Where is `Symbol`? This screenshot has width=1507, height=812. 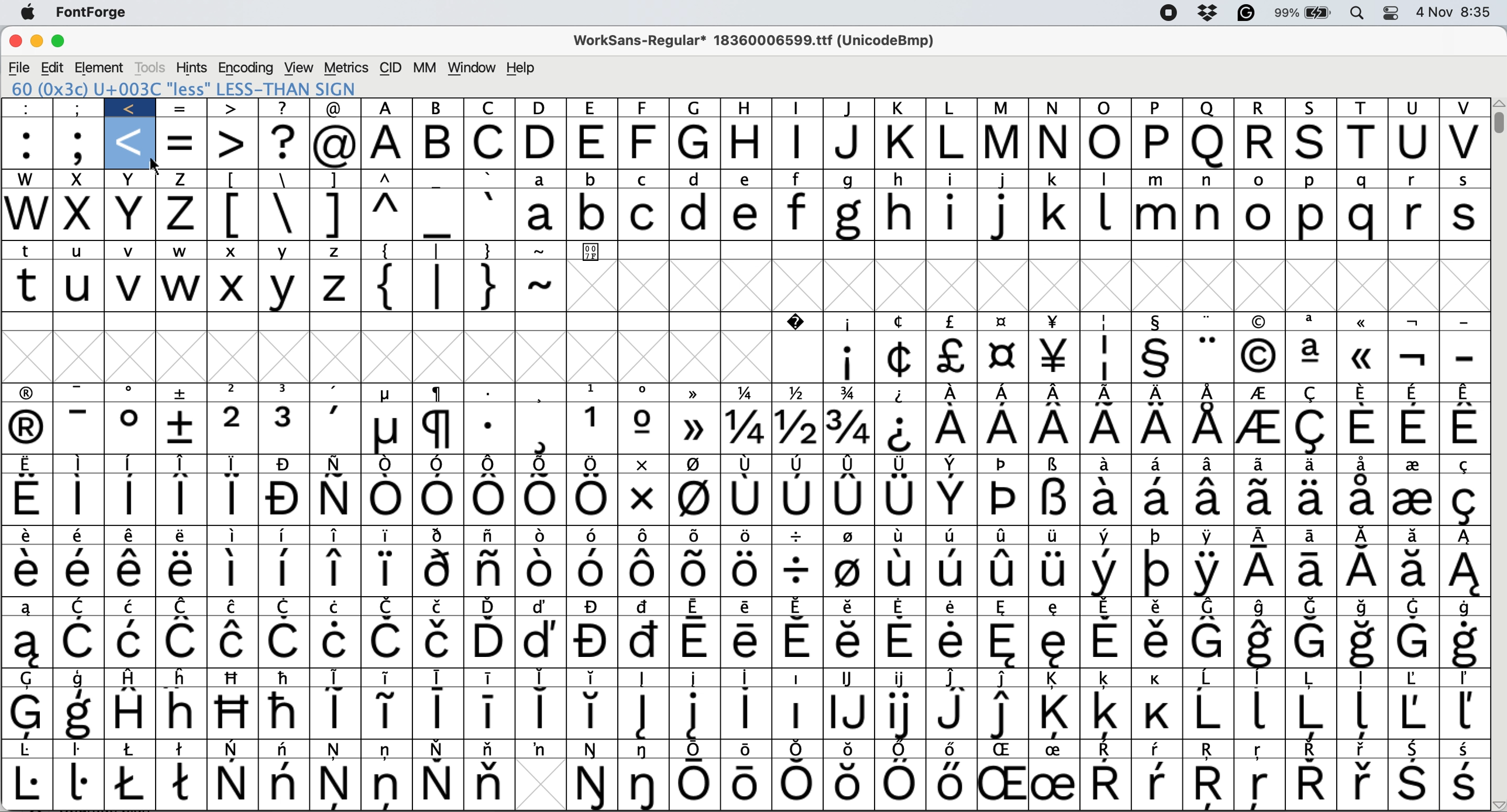
Symbol is located at coordinates (848, 536).